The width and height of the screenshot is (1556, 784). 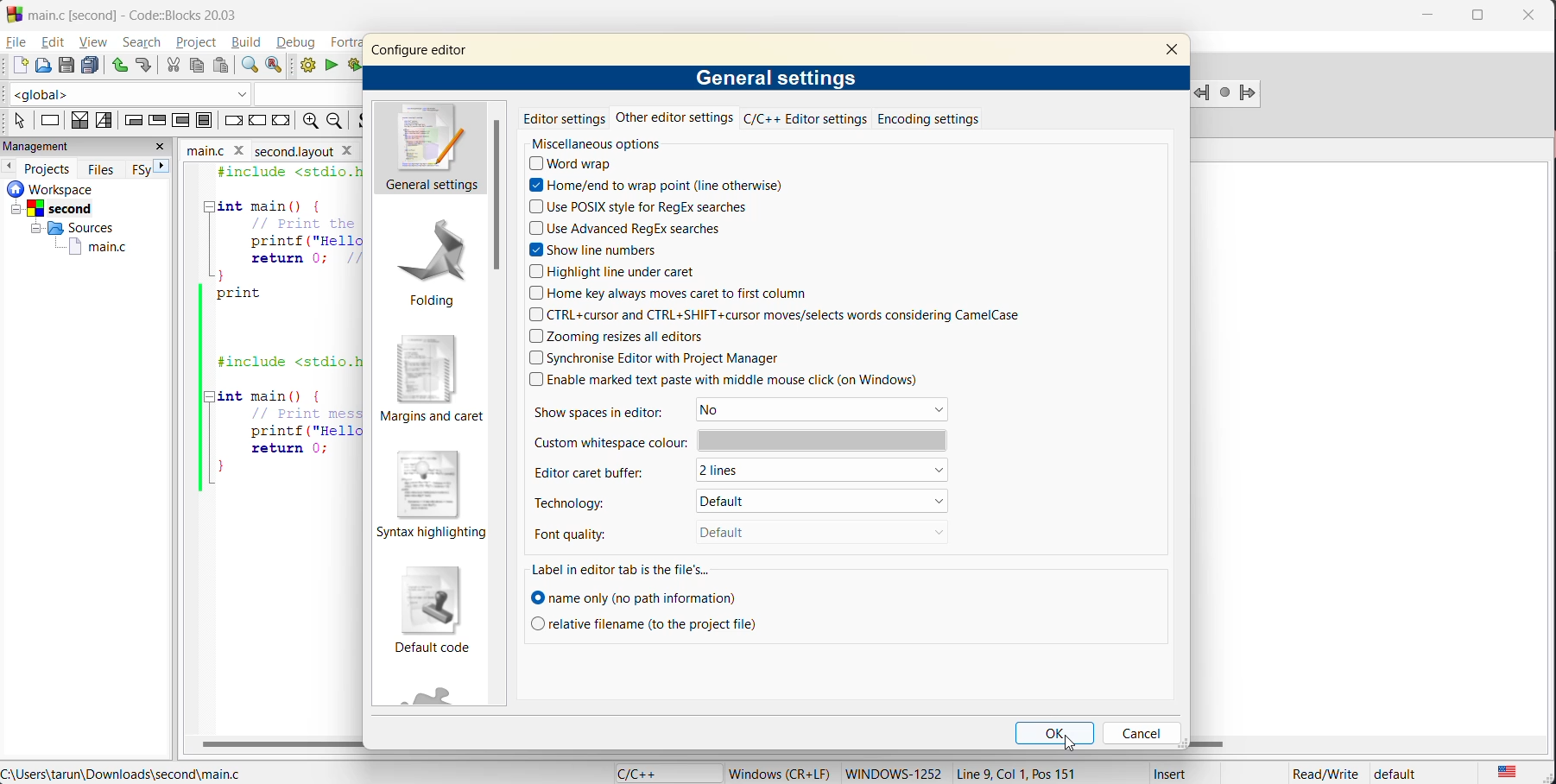 What do you see at coordinates (1224, 93) in the screenshot?
I see `last jump` at bounding box center [1224, 93].